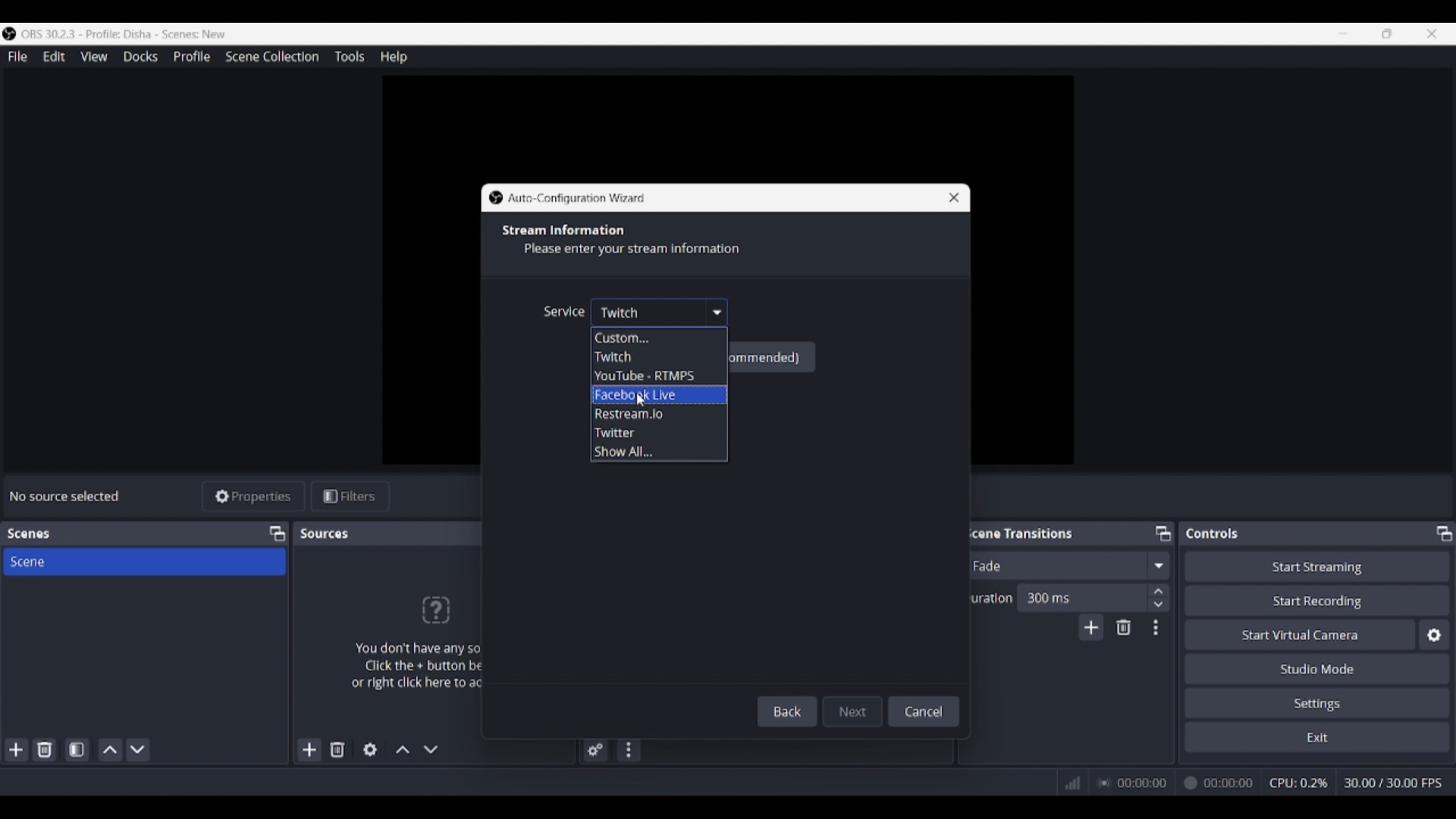  What do you see at coordinates (337, 749) in the screenshot?
I see `Remove selected source` at bounding box center [337, 749].